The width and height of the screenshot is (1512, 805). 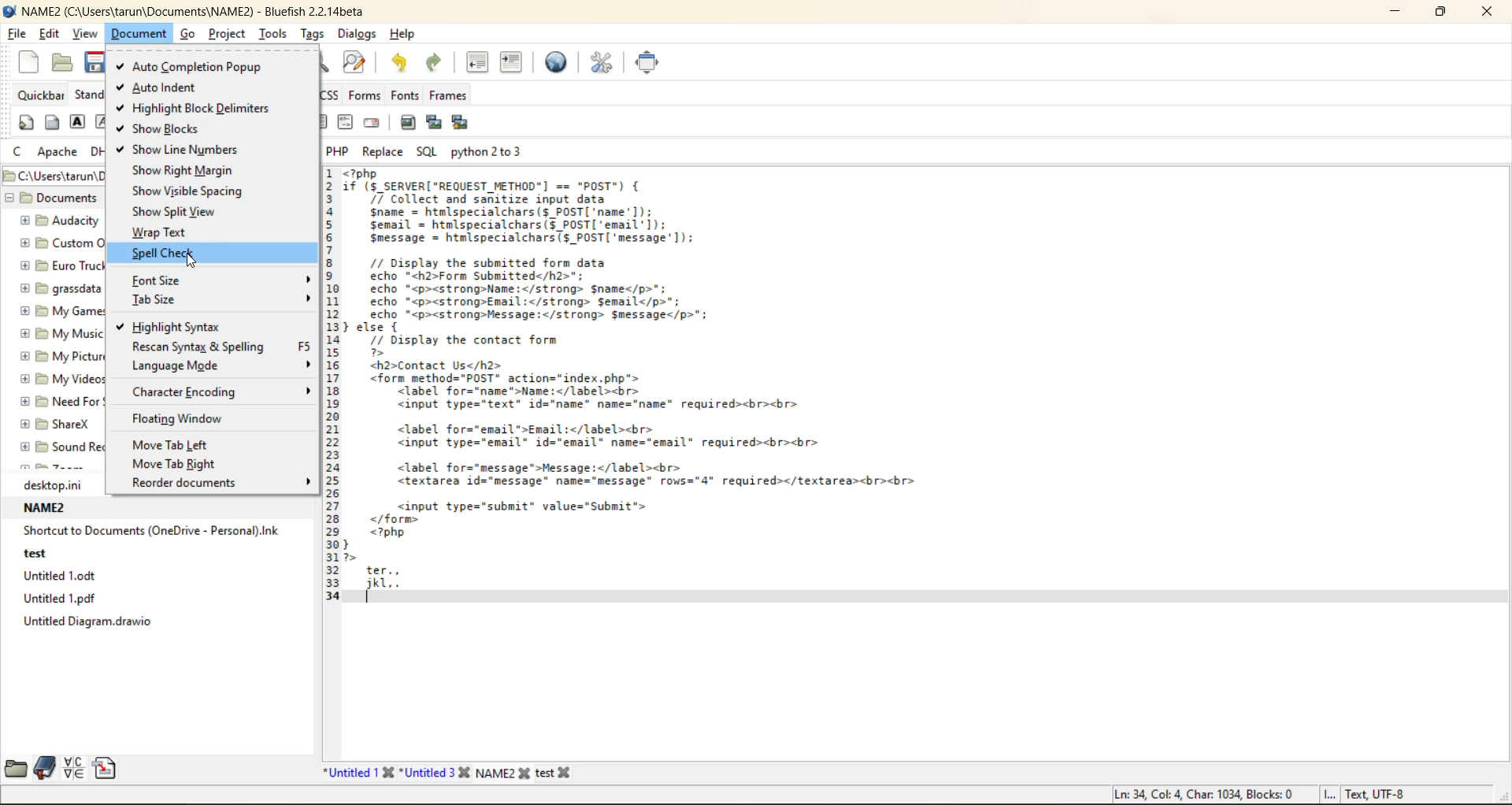 What do you see at coordinates (20, 150) in the screenshot?
I see `c` at bounding box center [20, 150].